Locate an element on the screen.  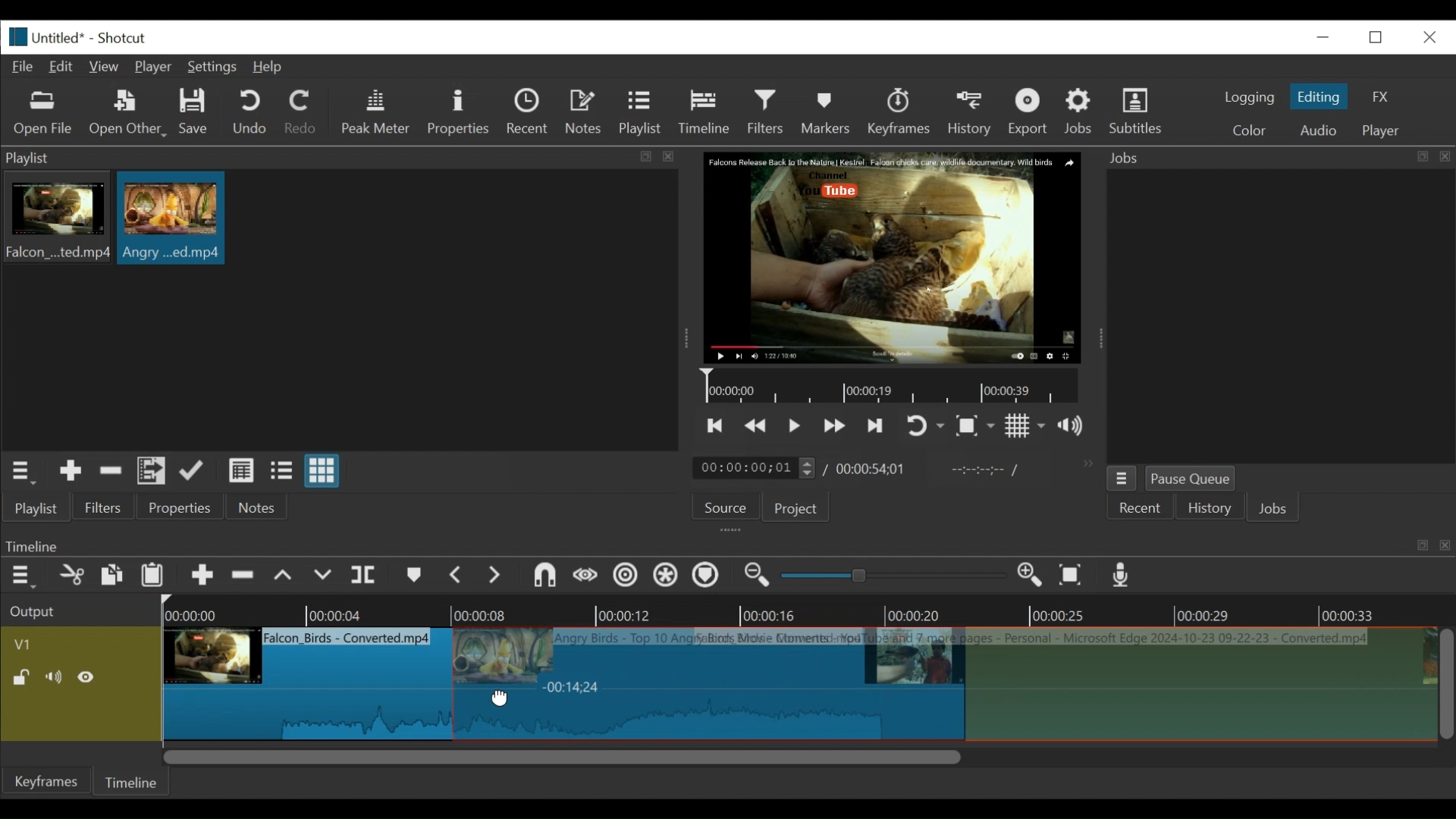
Timeline is located at coordinates (708, 109).